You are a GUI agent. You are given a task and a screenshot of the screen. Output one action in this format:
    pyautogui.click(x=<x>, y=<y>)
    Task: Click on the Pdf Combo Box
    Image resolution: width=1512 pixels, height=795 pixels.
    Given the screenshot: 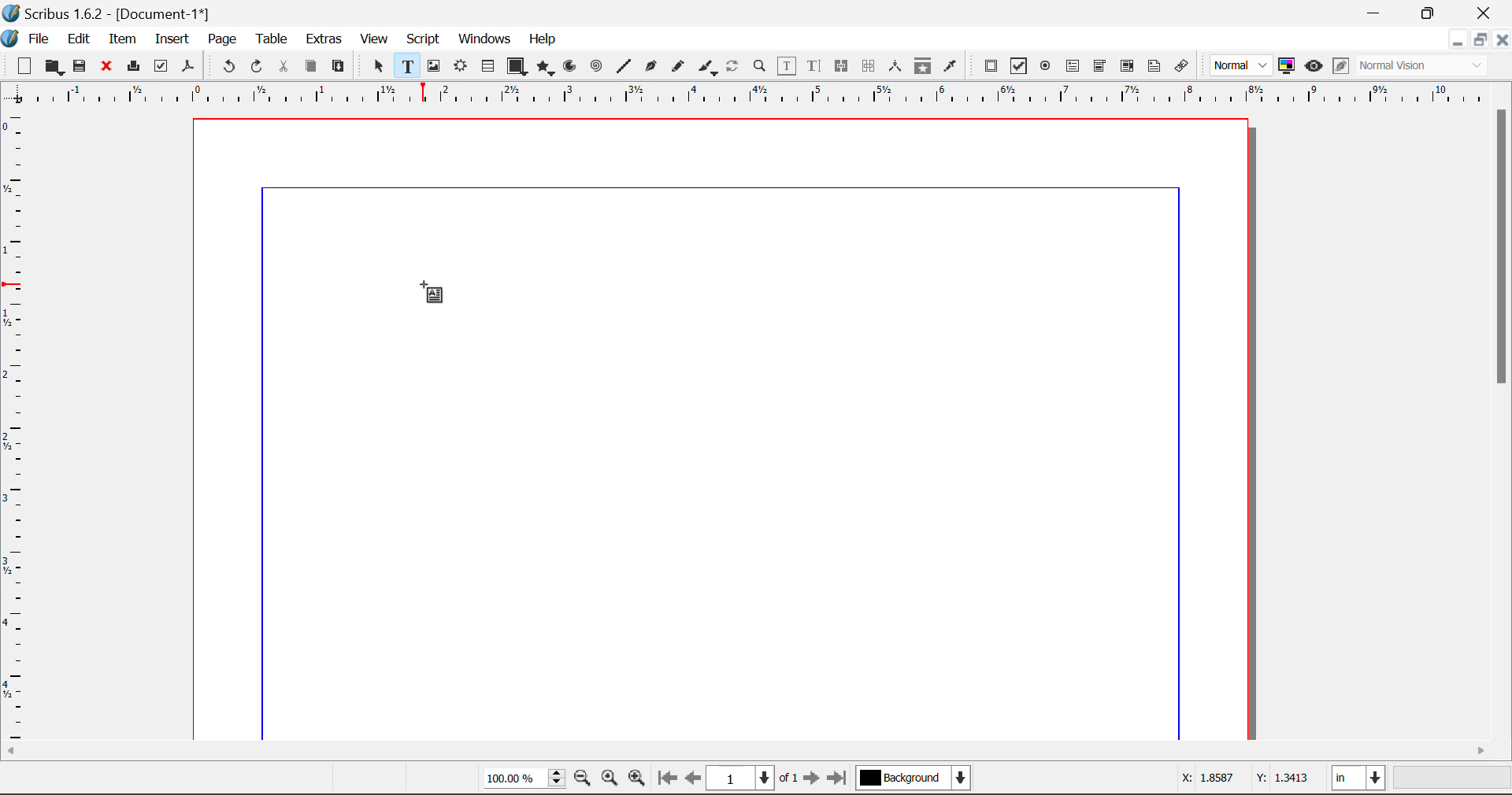 What is the action you would take?
    pyautogui.click(x=1100, y=65)
    